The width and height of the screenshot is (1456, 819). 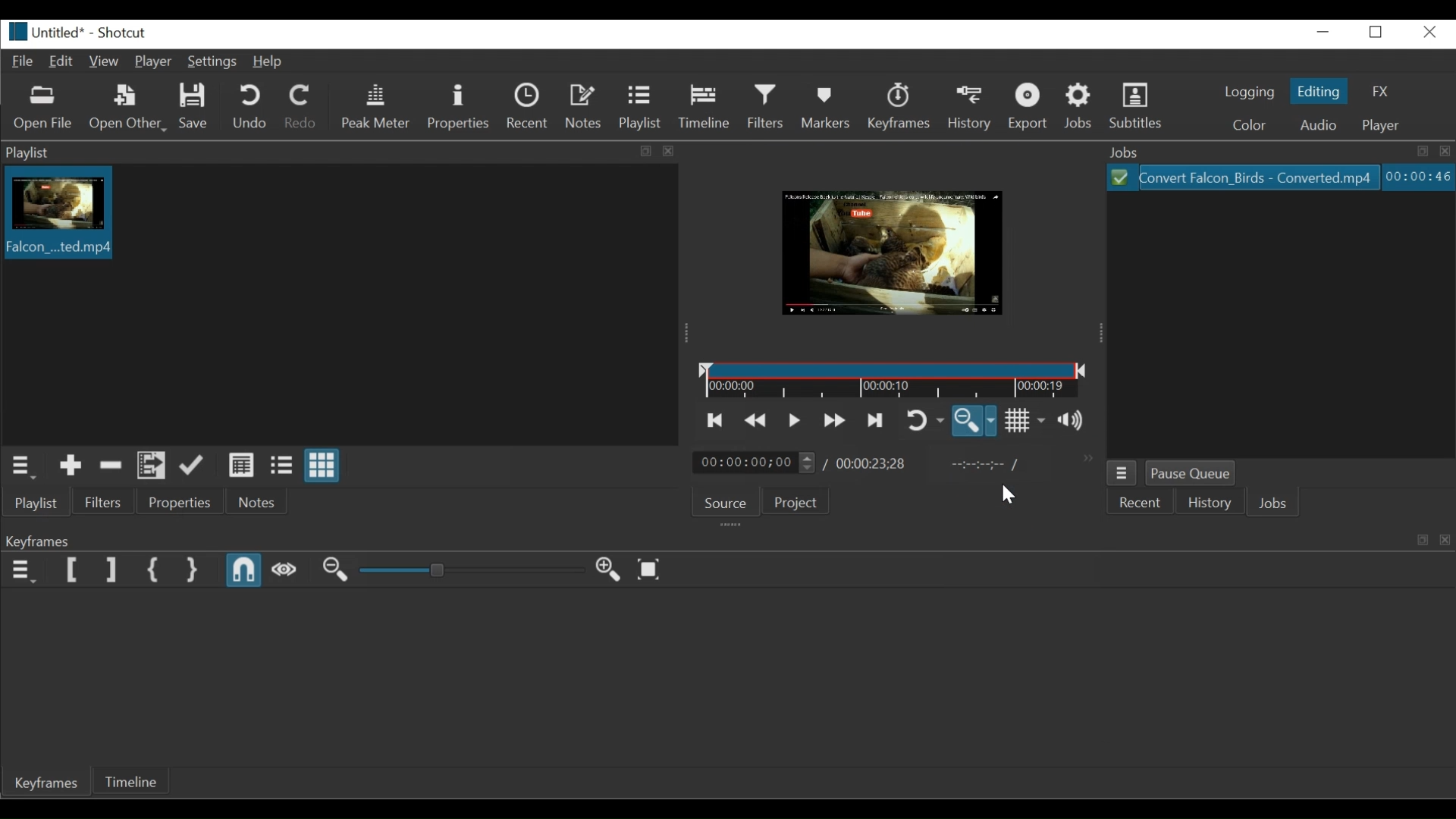 What do you see at coordinates (322, 466) in the screenshot?
I see `View as icons` at bounding box center [322, 466].